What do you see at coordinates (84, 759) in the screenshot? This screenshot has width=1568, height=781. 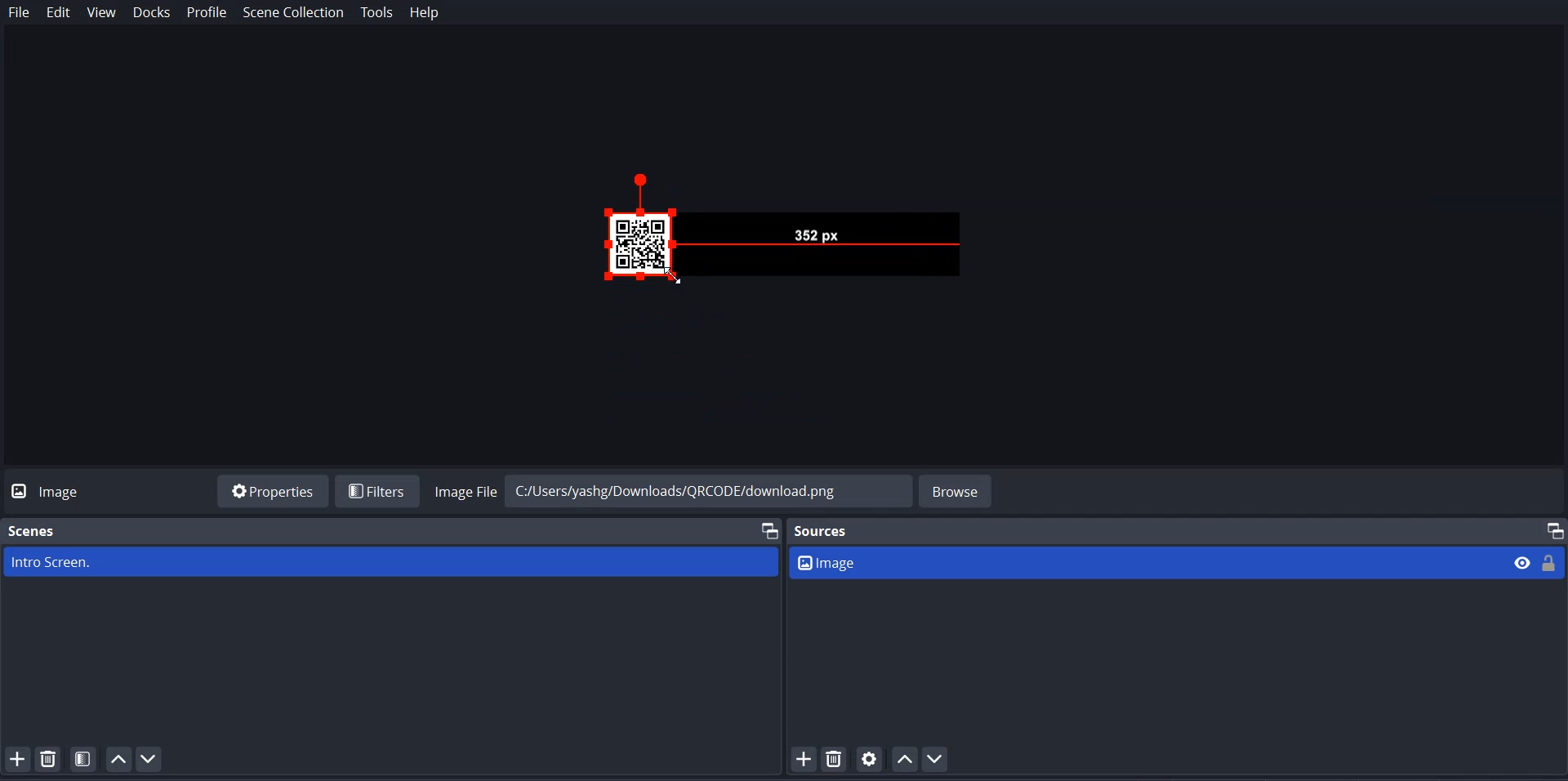 I see `Open scene Filter` at bounding box center [84, 759].